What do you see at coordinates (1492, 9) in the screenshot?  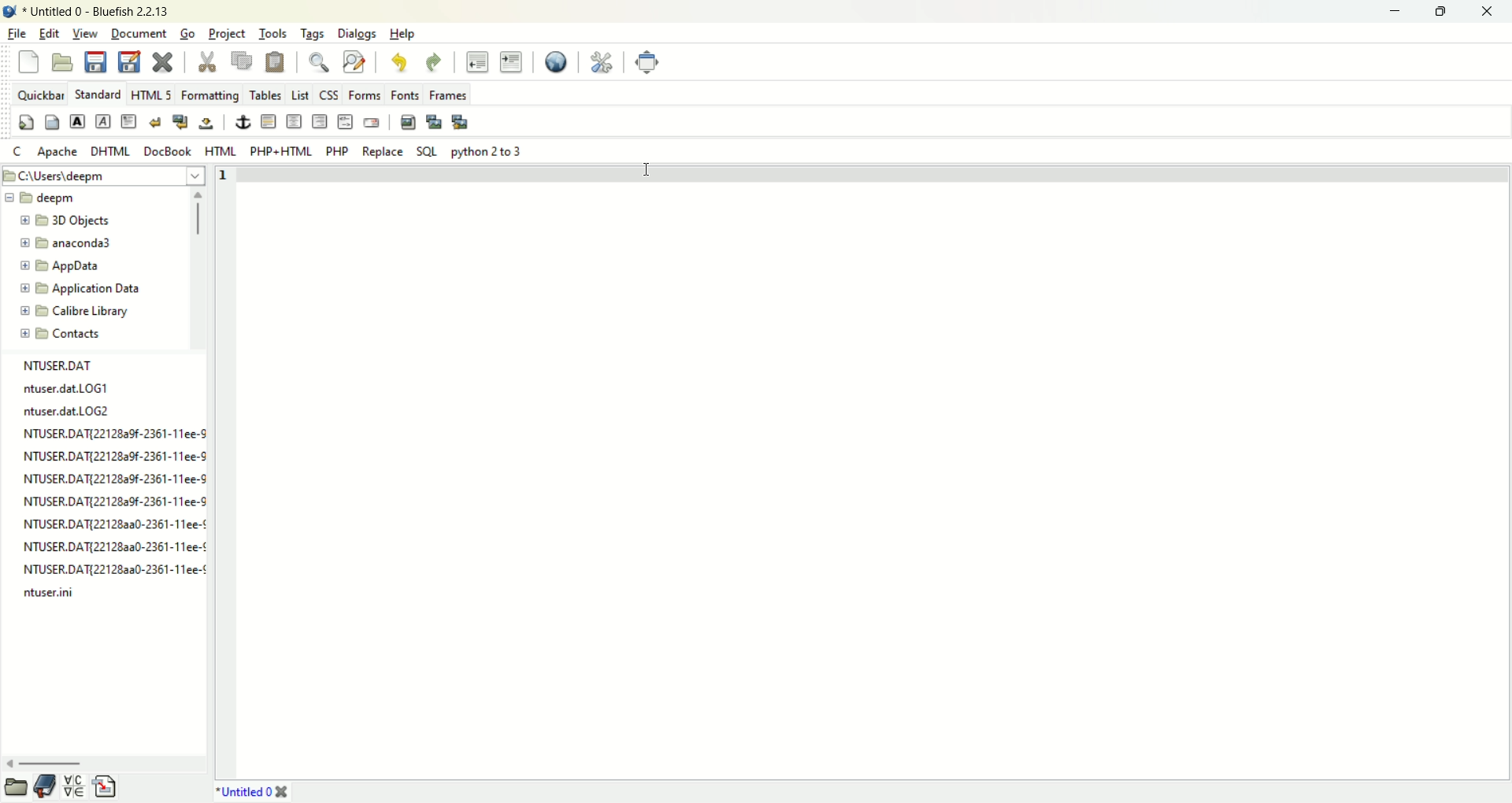 I see `close` at bounding box center [1492, 9].